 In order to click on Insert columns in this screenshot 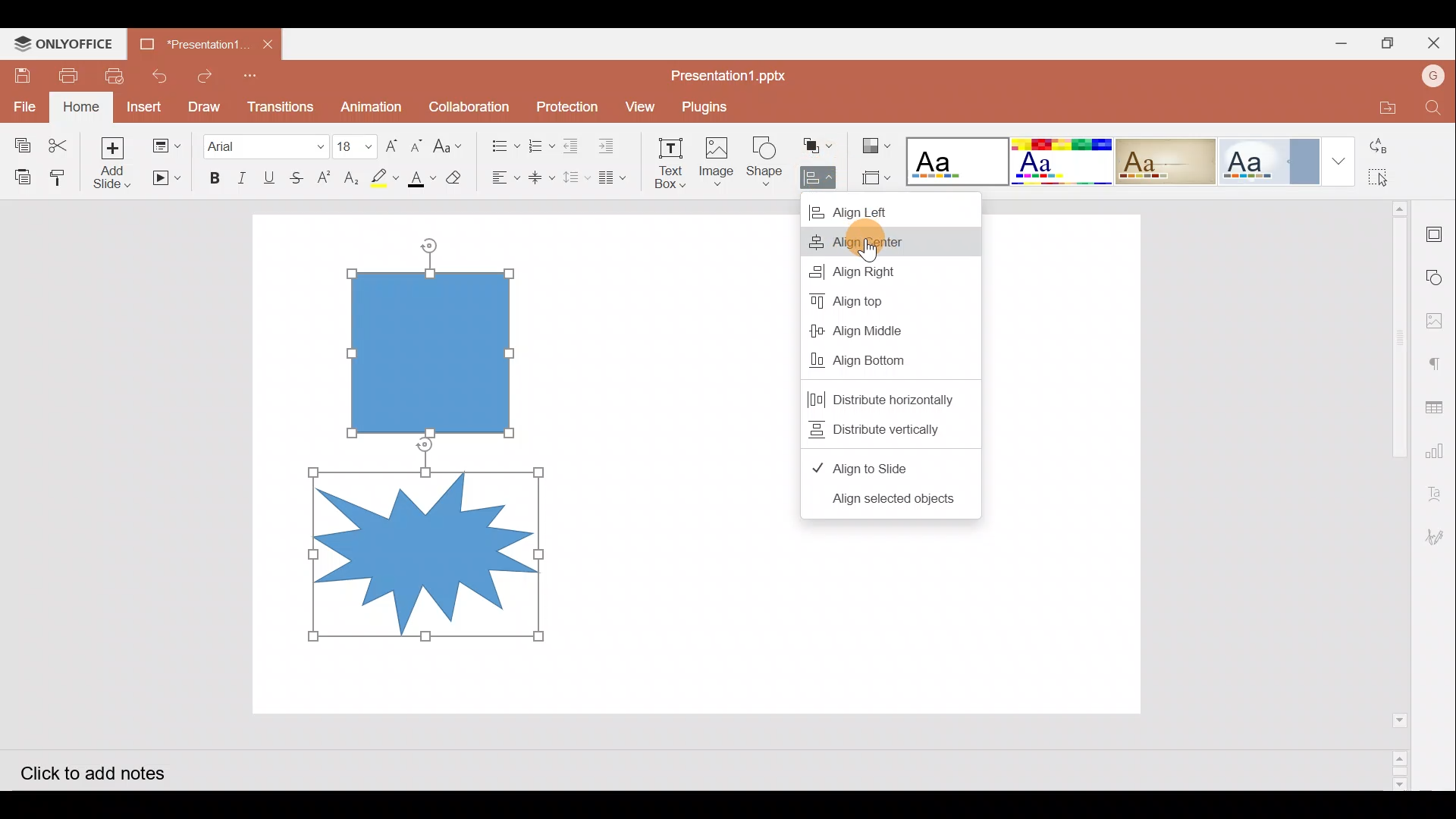, I will do `click(616, 177)`.